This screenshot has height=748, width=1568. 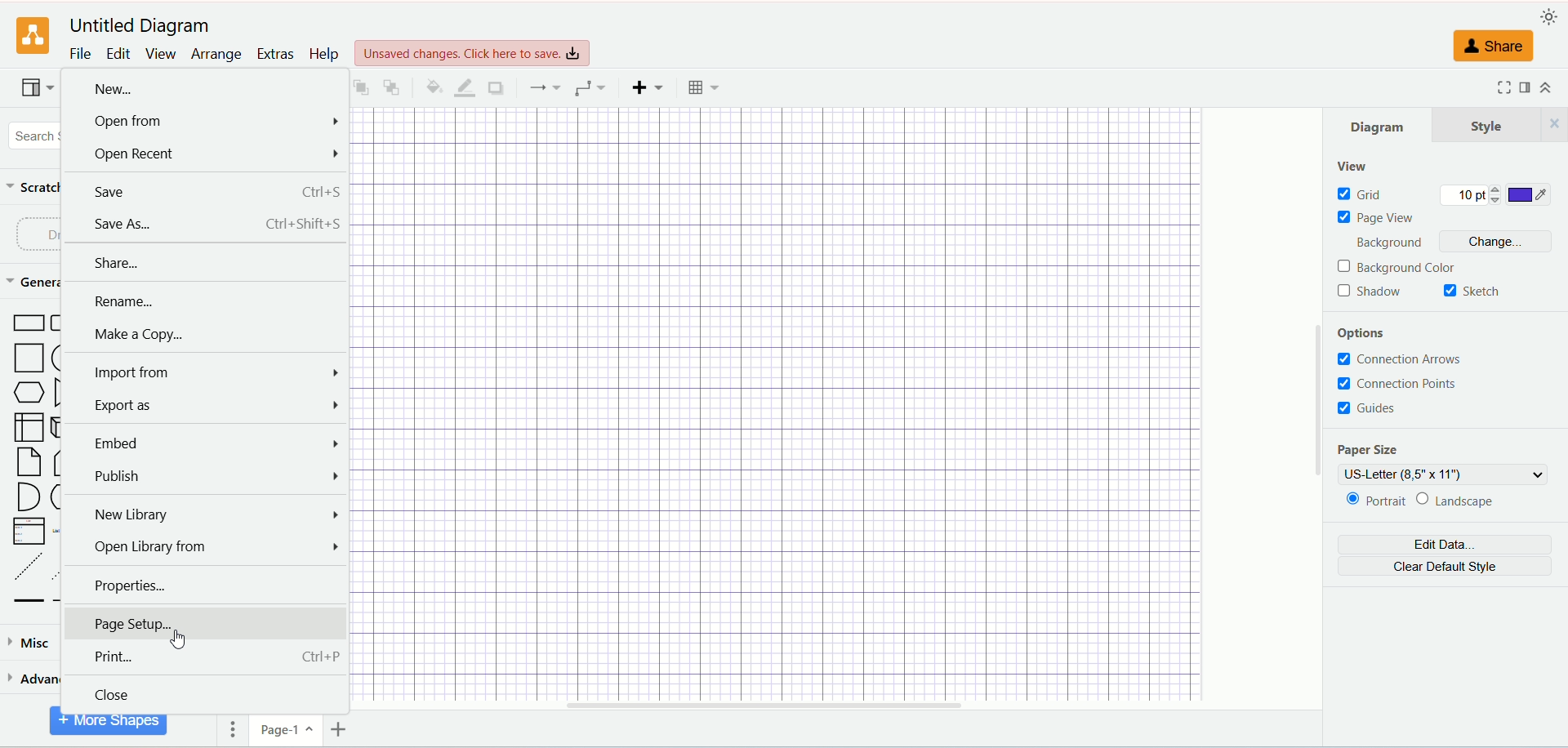 What do you see at coordinates (494, 87) in the screenshot?
I see `shadow` at bounding box center [494, 87].